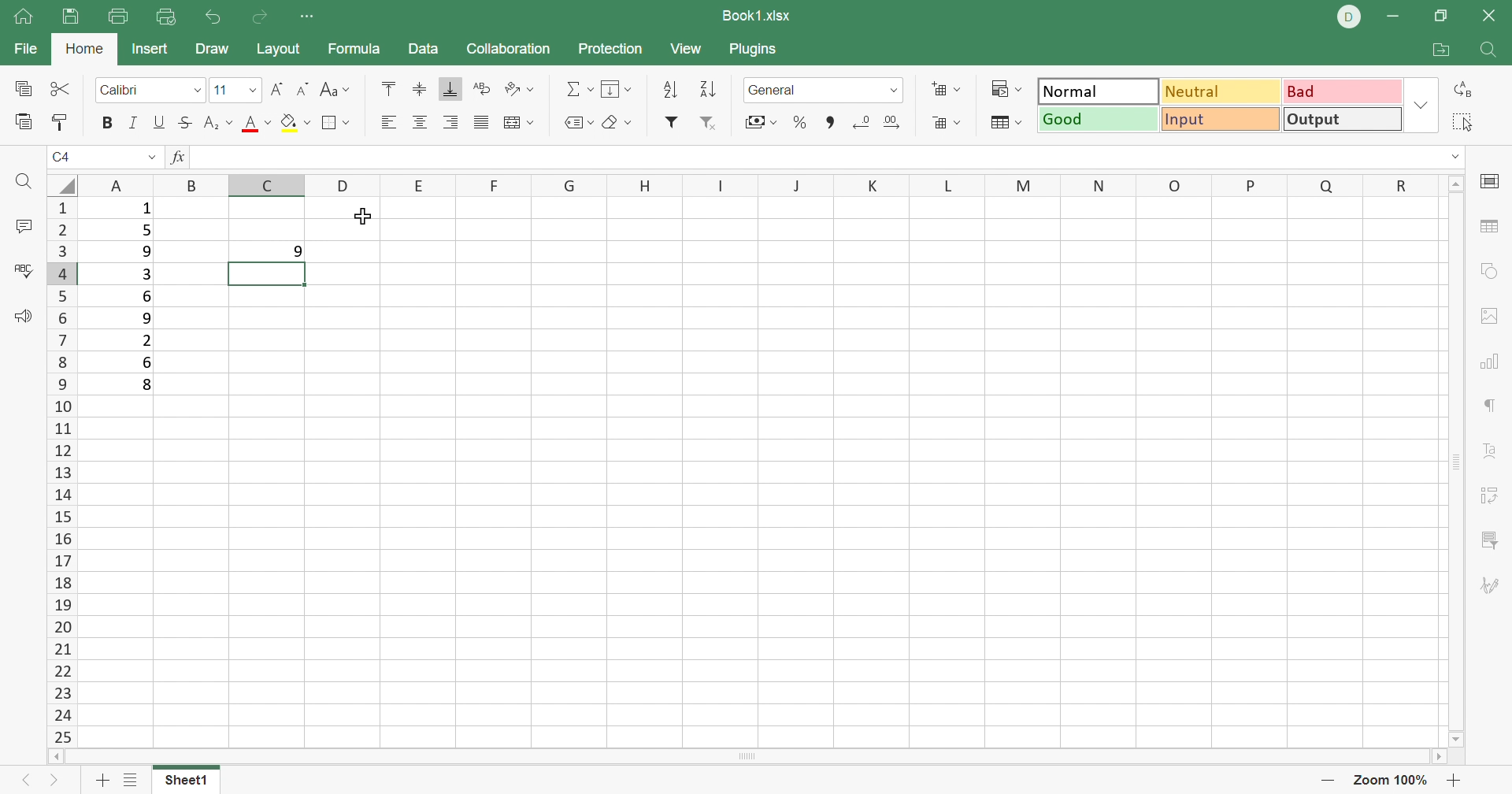 The width and height of the screenshot is (1512, 794). Describe the element at coordinates (1492, 225) in the screenshot. I see `table settings` at that location.